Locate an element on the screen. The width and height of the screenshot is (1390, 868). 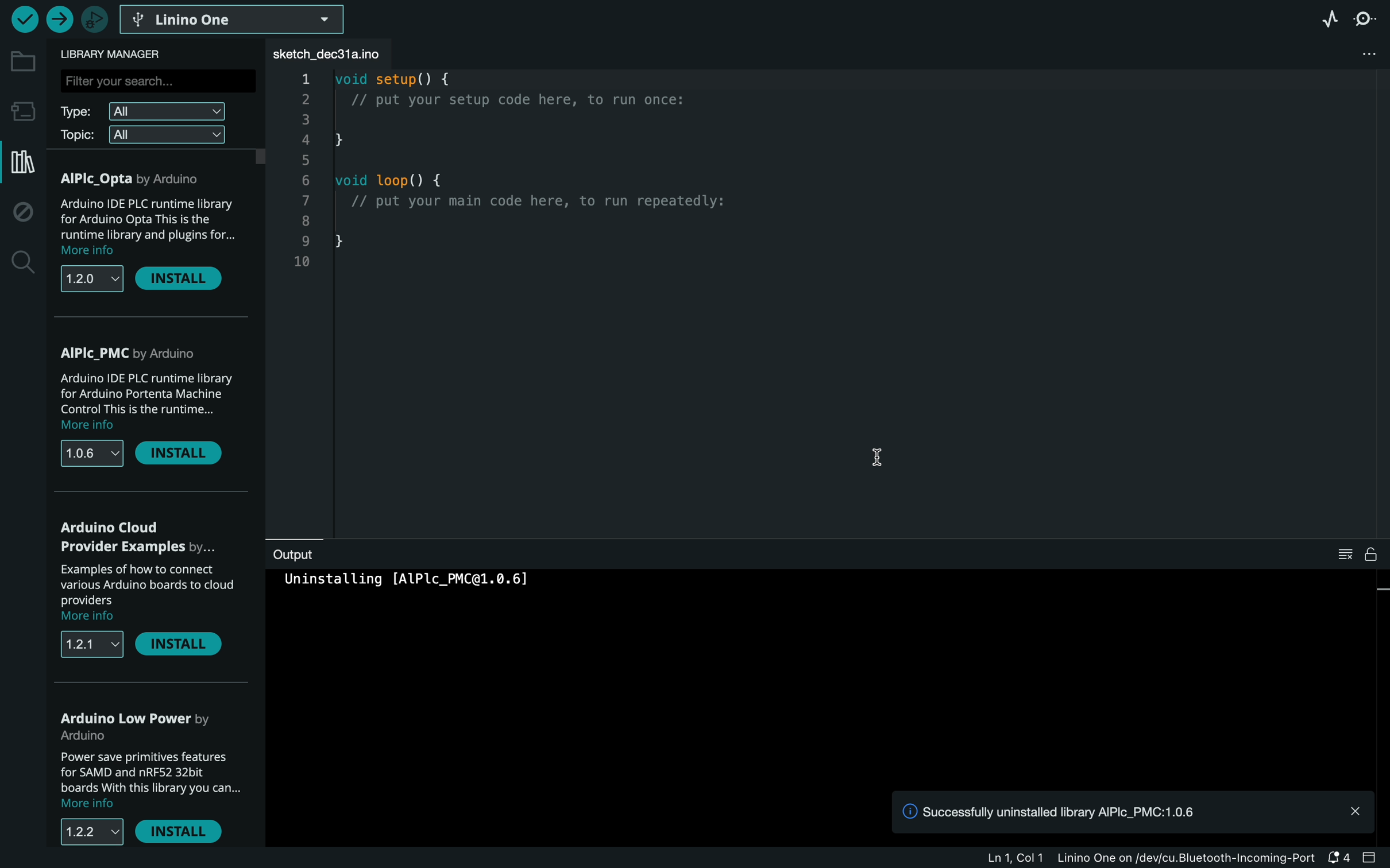
install is located at coordinates (186, 649).